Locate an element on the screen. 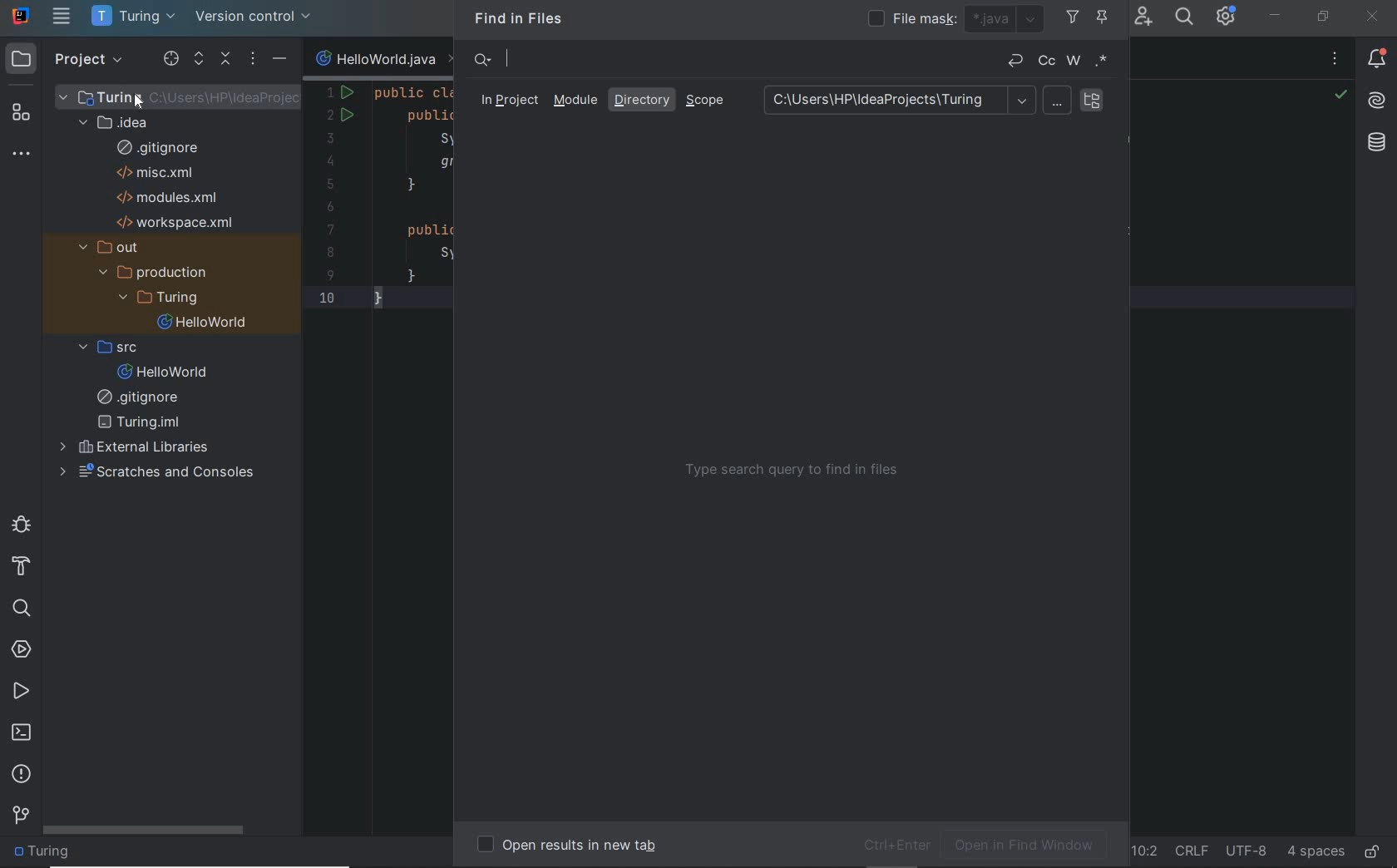  path is located at coordinates (898, 101).